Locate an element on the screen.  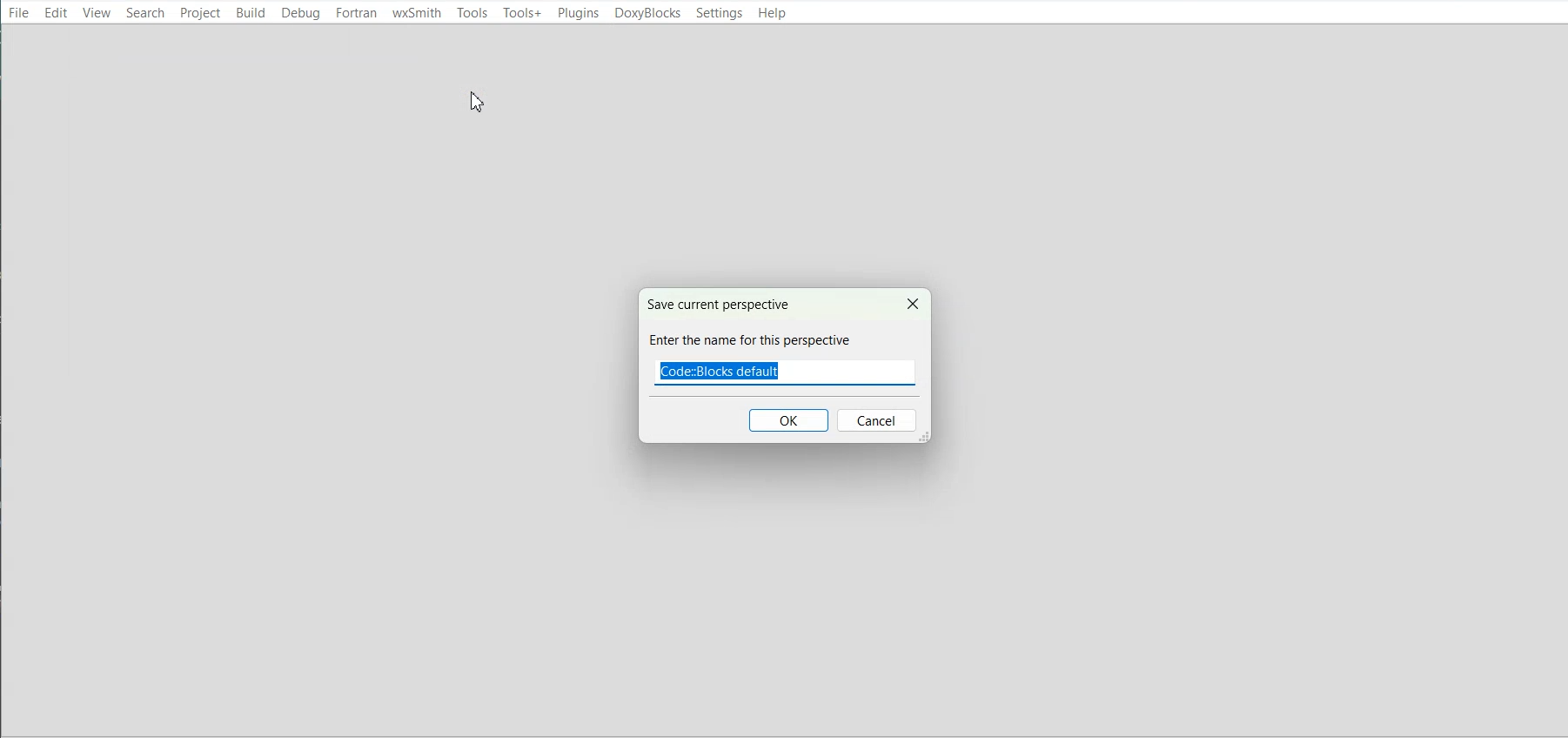
Settings is located at coordinates (719, 13).